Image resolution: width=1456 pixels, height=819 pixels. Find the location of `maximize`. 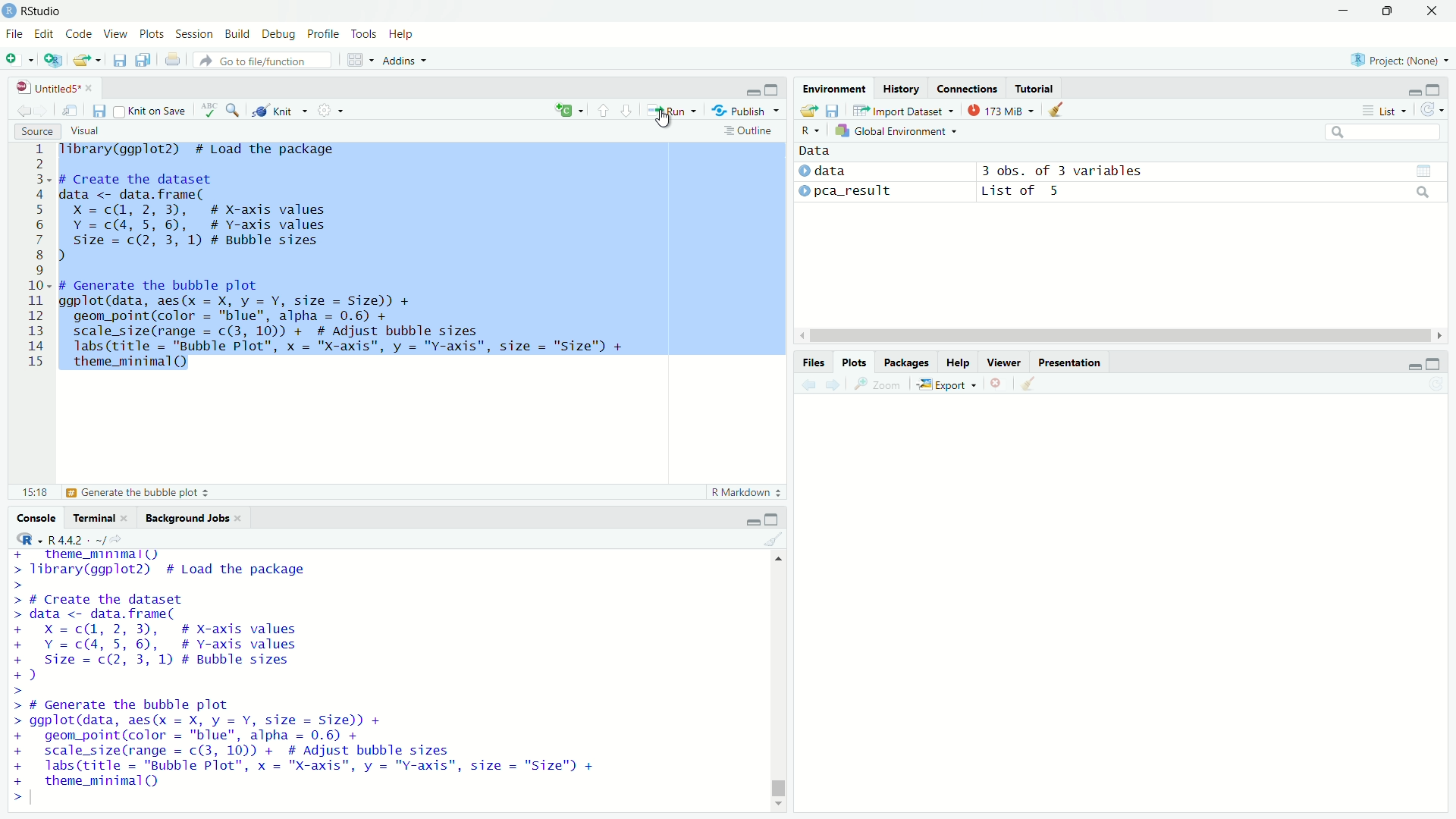

maximize is located at coordinates (775, 88).